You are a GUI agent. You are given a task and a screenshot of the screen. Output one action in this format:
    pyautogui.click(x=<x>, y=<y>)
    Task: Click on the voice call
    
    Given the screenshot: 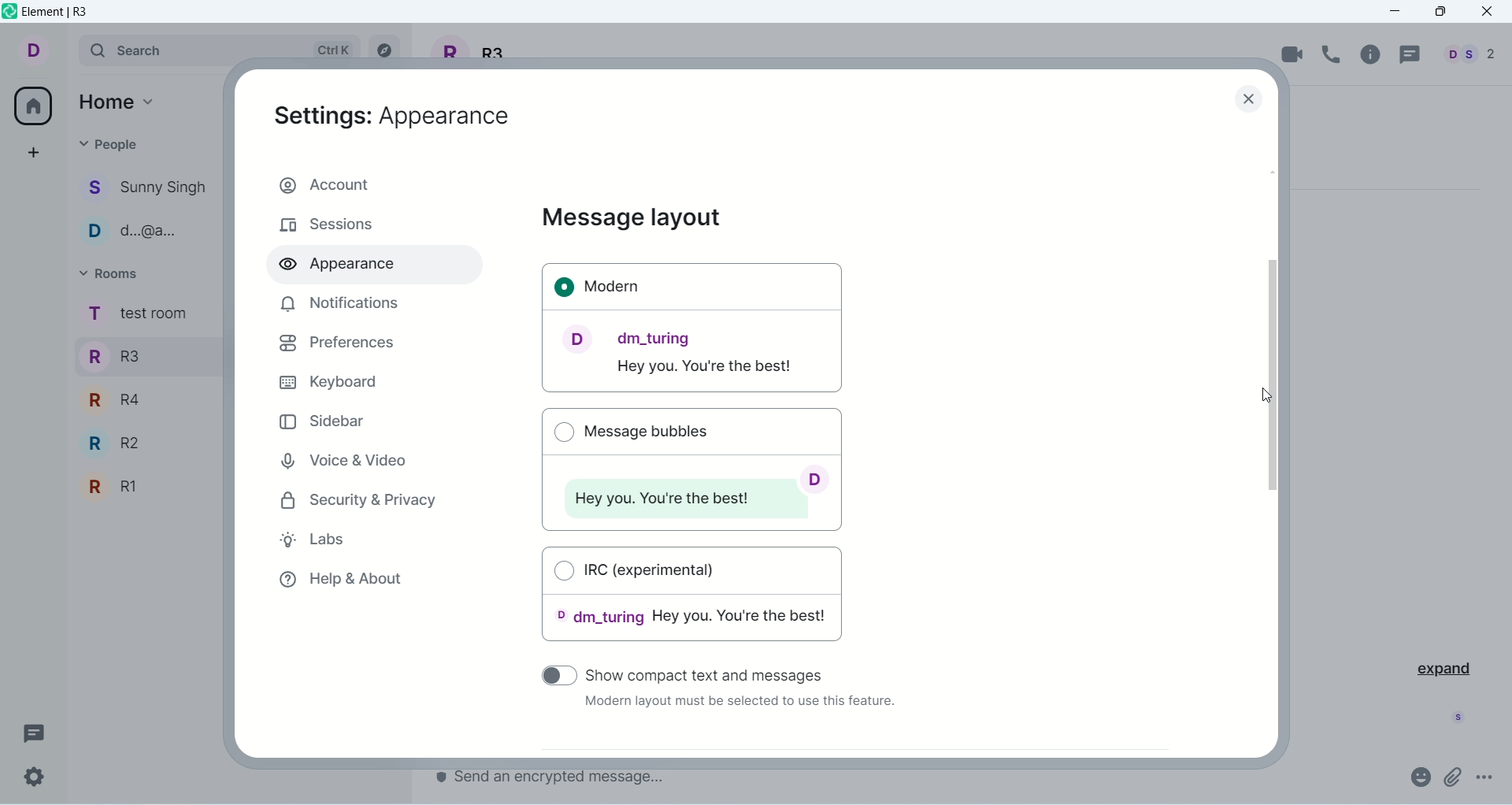 What is the action you would take?
    pyautogui.click(x=1335, y=54)
    